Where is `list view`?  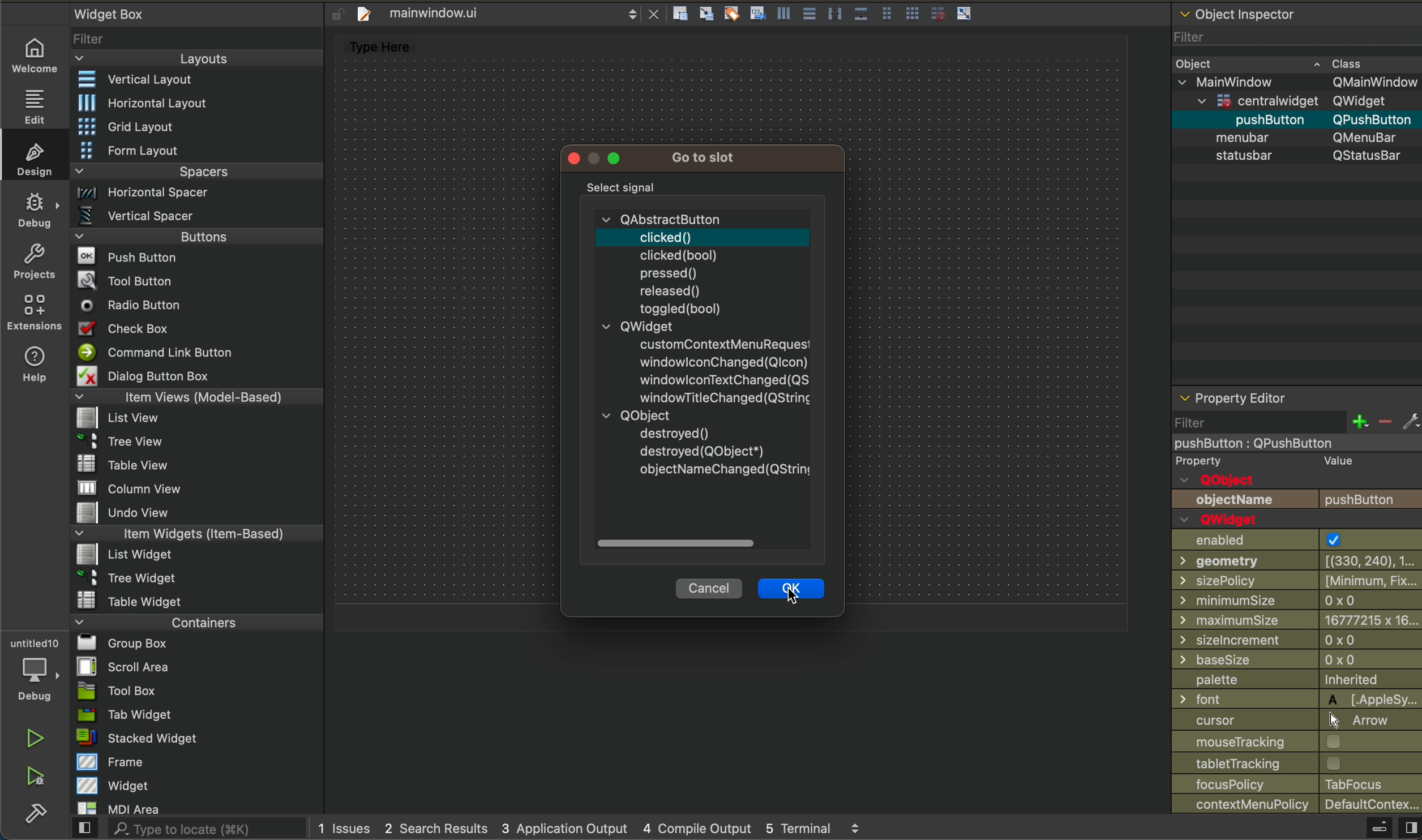
list view is located at coordinates (198, 418).